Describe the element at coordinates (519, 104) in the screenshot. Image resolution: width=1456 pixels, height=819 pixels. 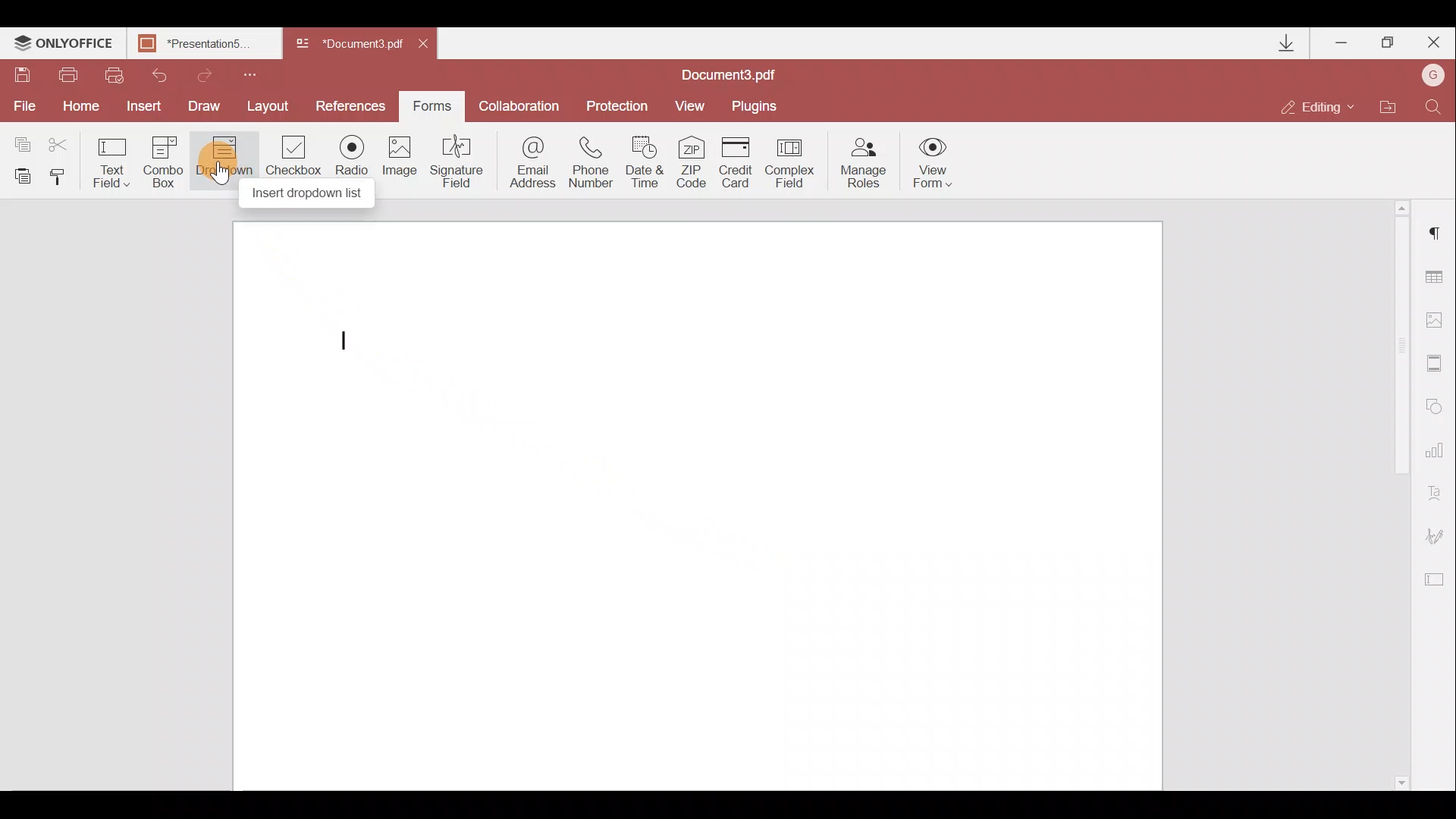
I see `Collaboration` at that location.